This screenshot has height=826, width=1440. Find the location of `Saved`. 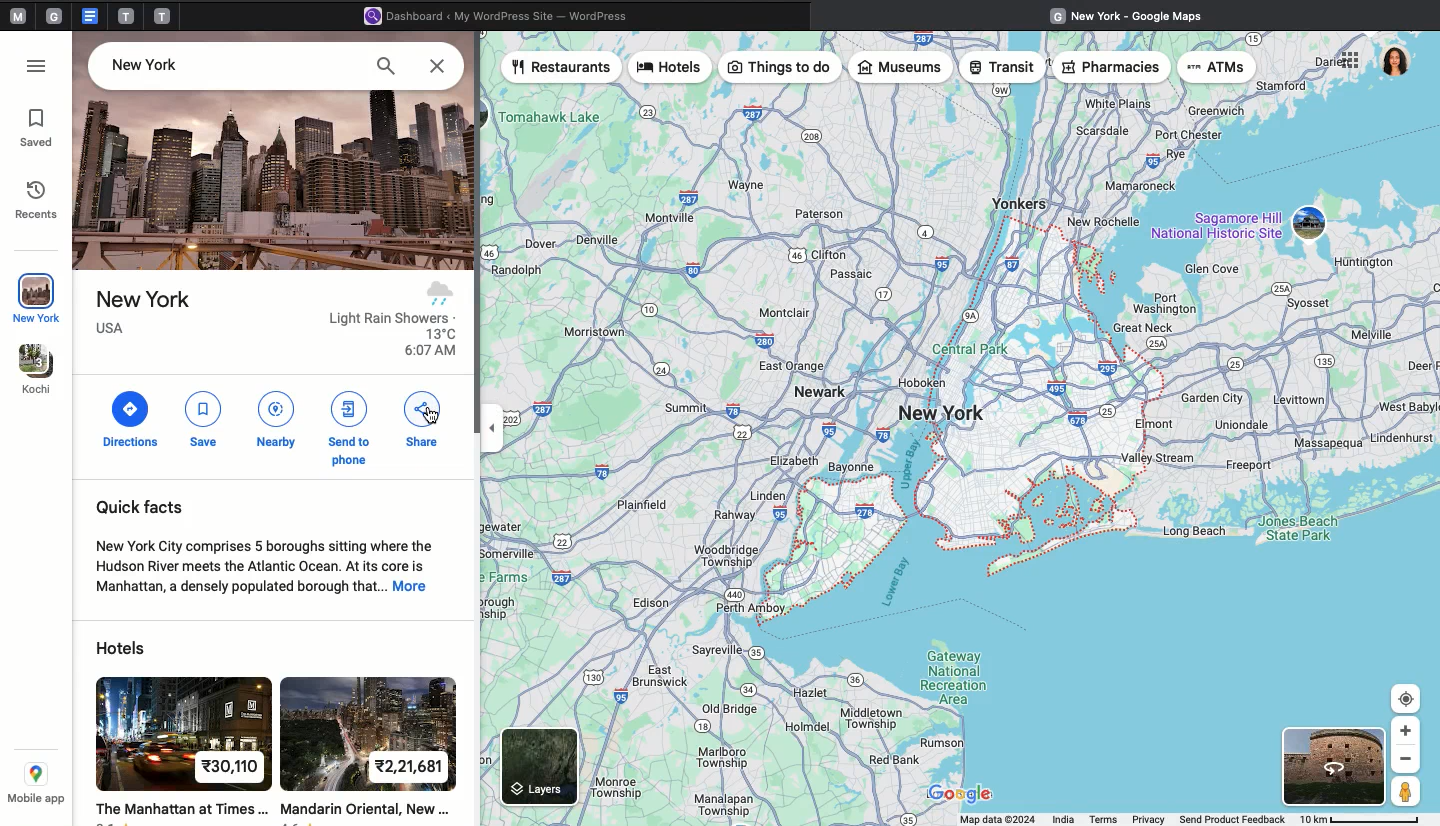

Saved is located at coordinates (39, 129).